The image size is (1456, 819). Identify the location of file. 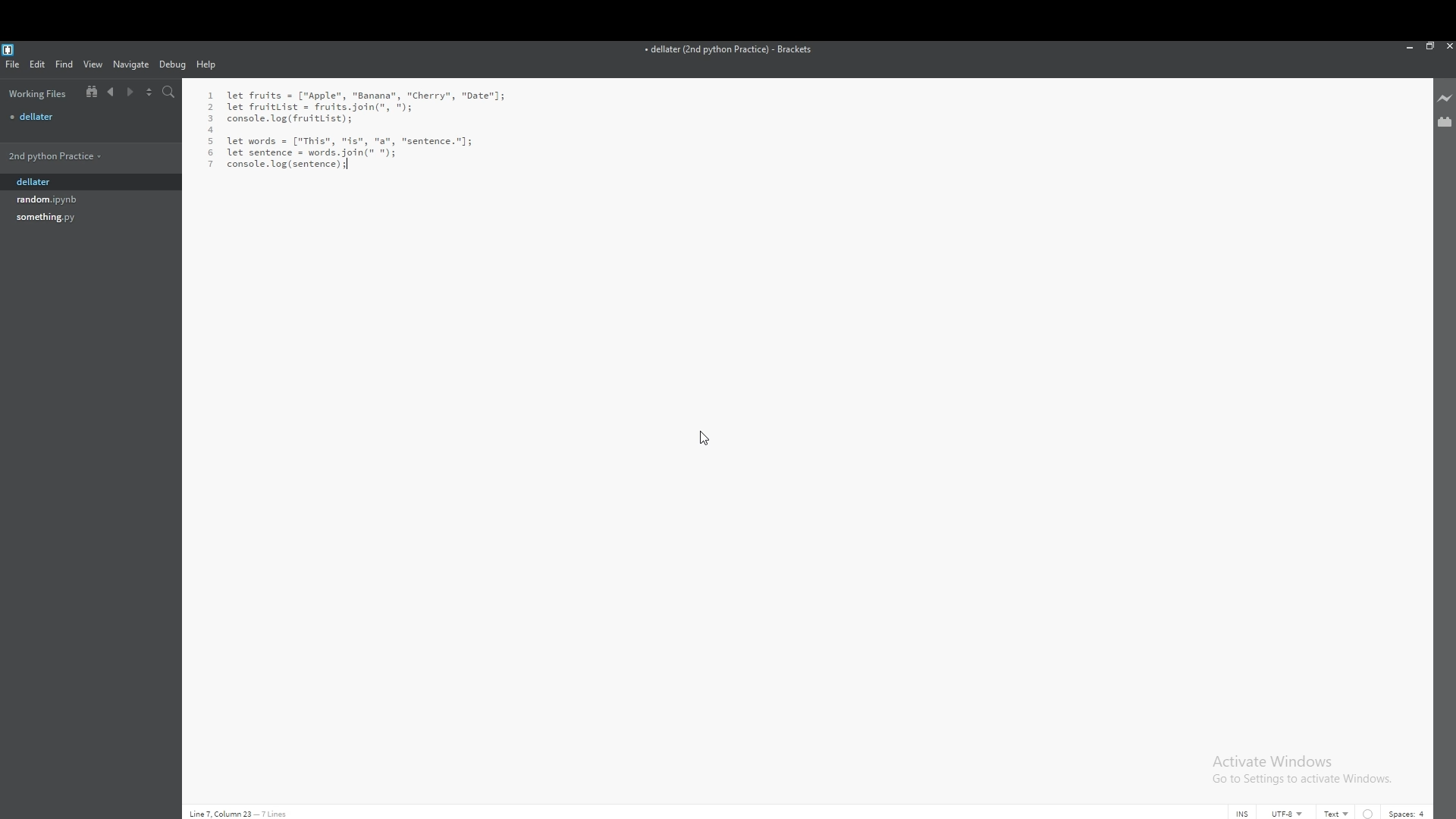
(71, 218).